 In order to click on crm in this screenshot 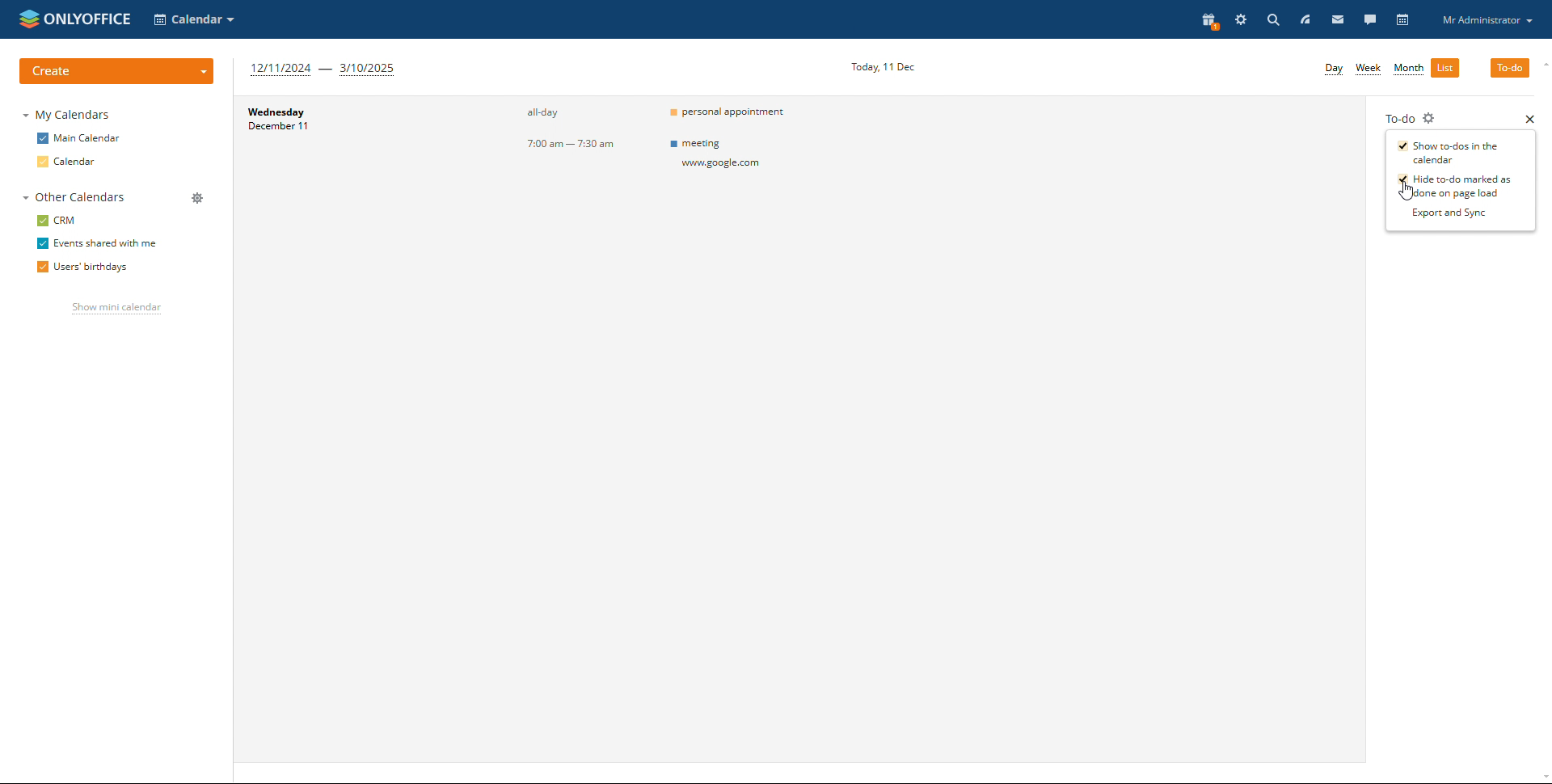, I will do `click(57, 221)`.